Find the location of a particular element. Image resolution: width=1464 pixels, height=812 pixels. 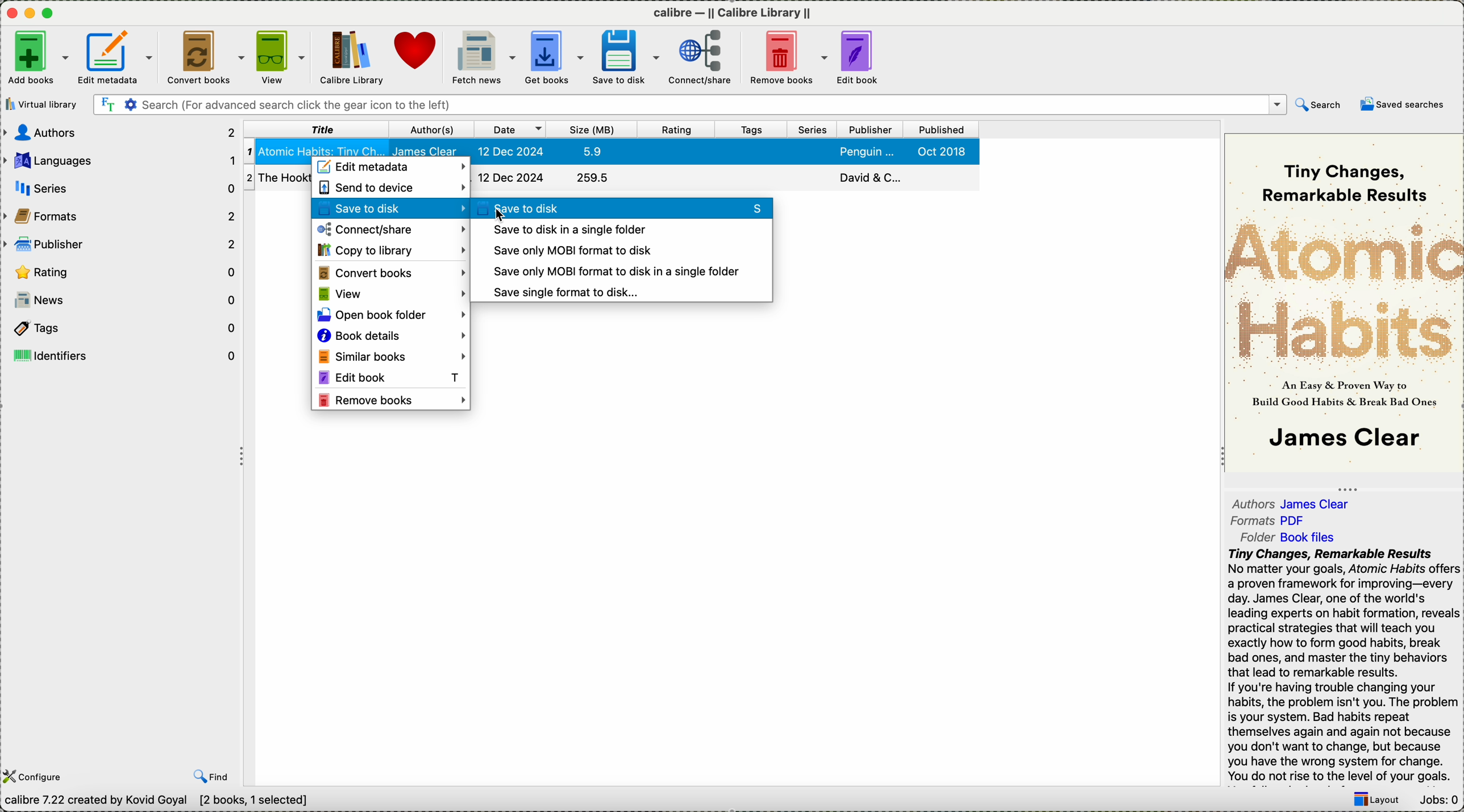

remove books is located at coordinates (393, 398).